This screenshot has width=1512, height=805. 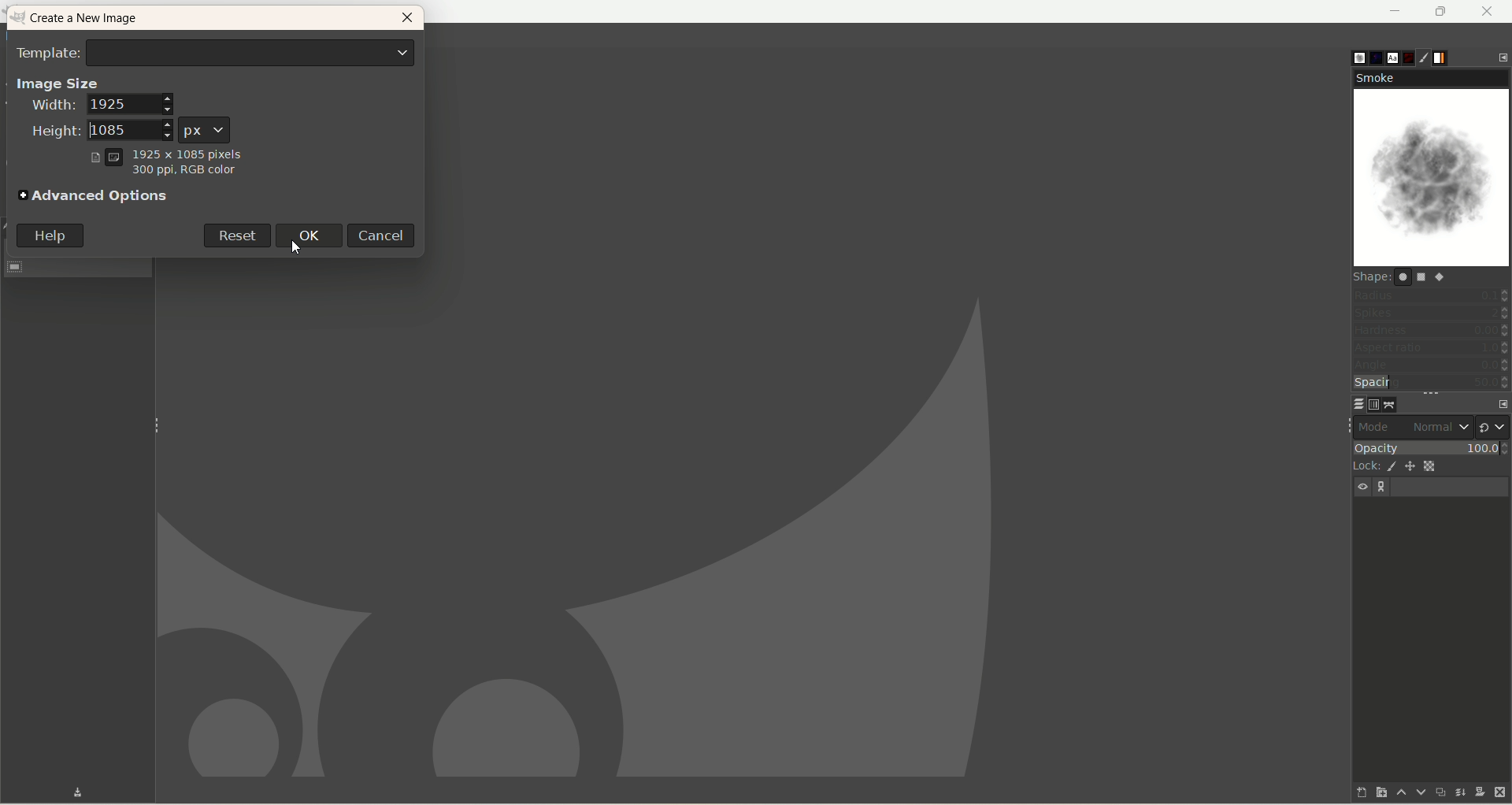 I want to click on raise this layer one step, so click(x=1394, y=795).